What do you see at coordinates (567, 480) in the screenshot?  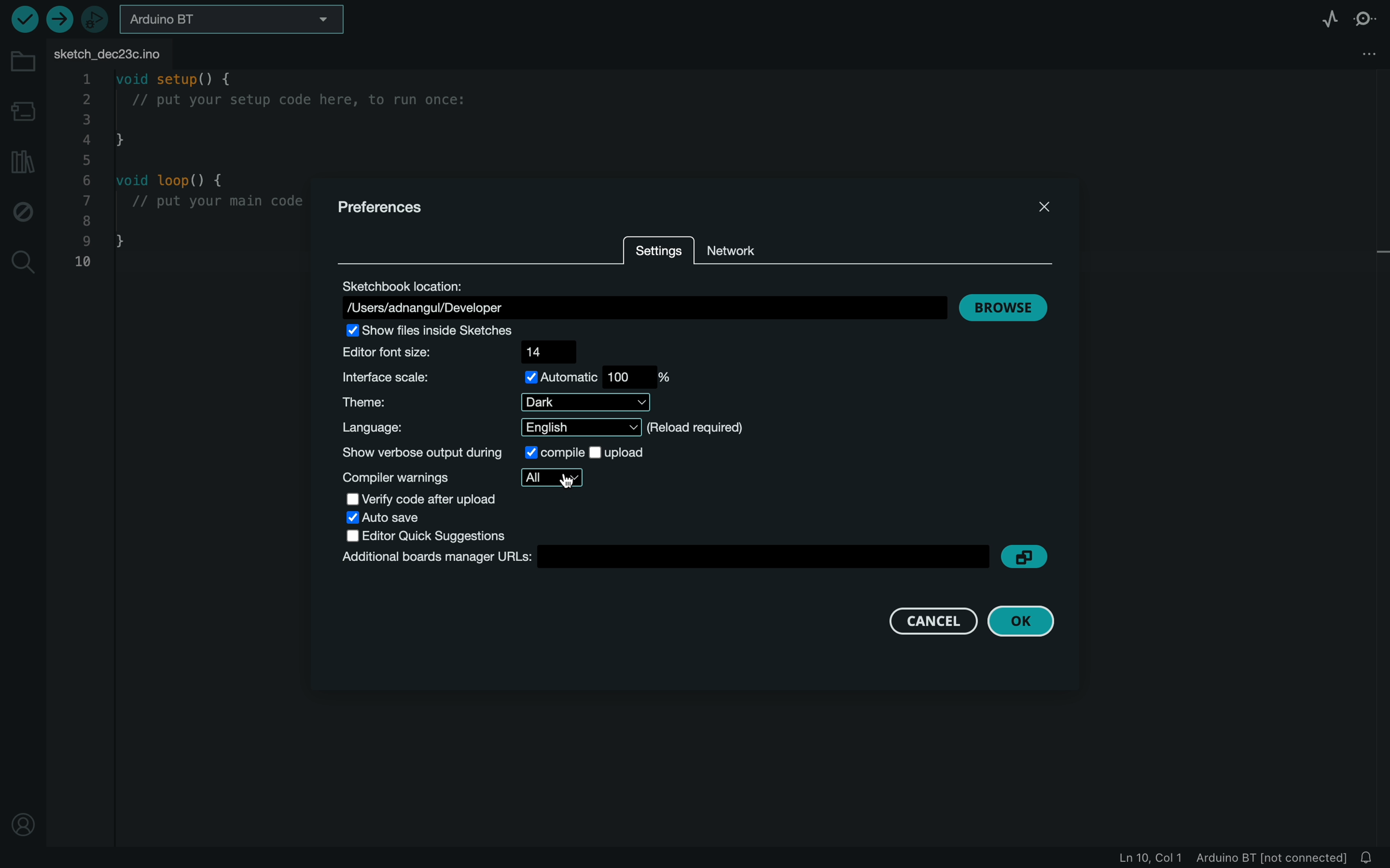 I see `cursor` at bounding box center [567, 480].